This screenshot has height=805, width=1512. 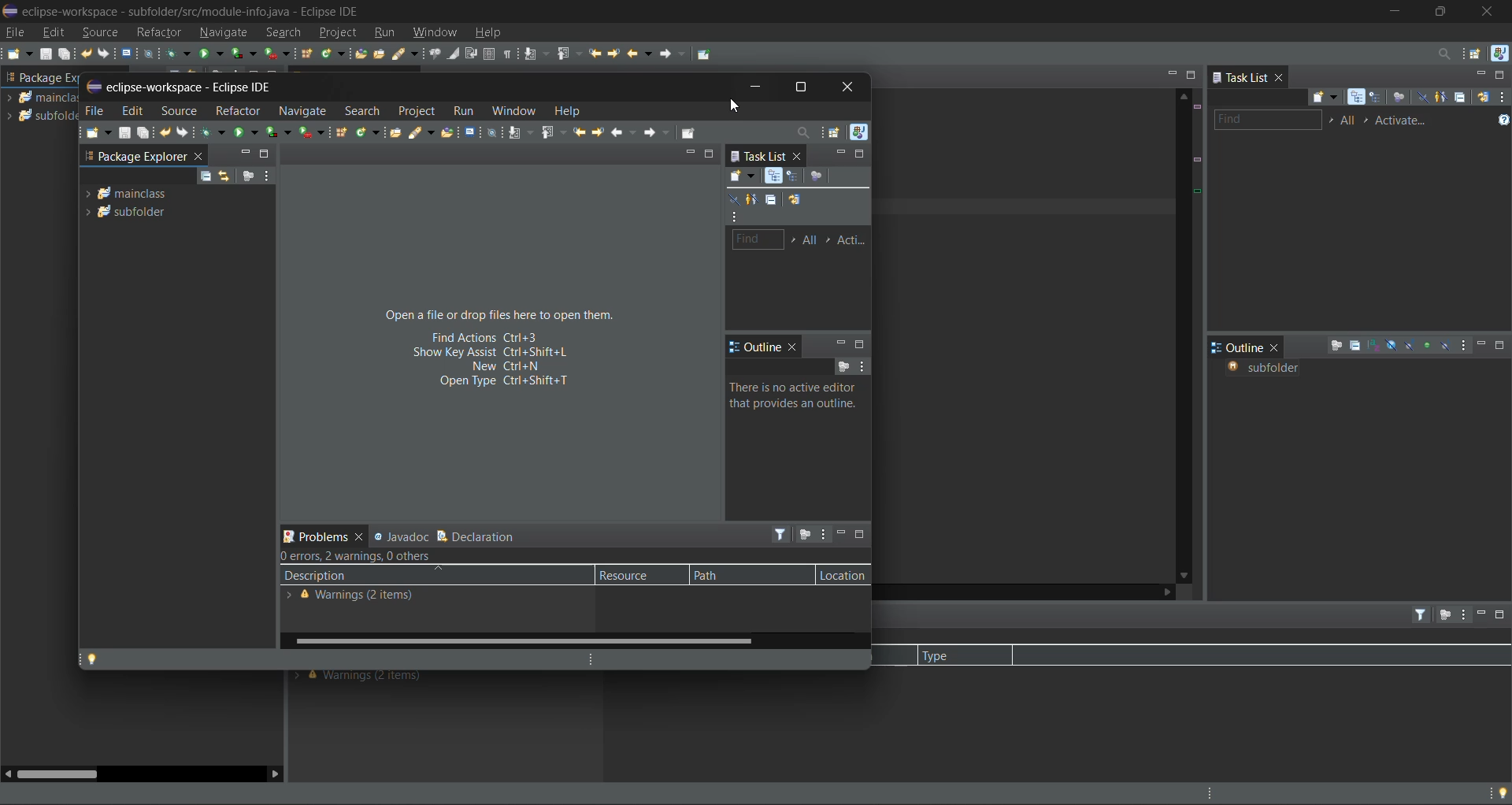 I want to click on metadata, so click(x=359, y=556).